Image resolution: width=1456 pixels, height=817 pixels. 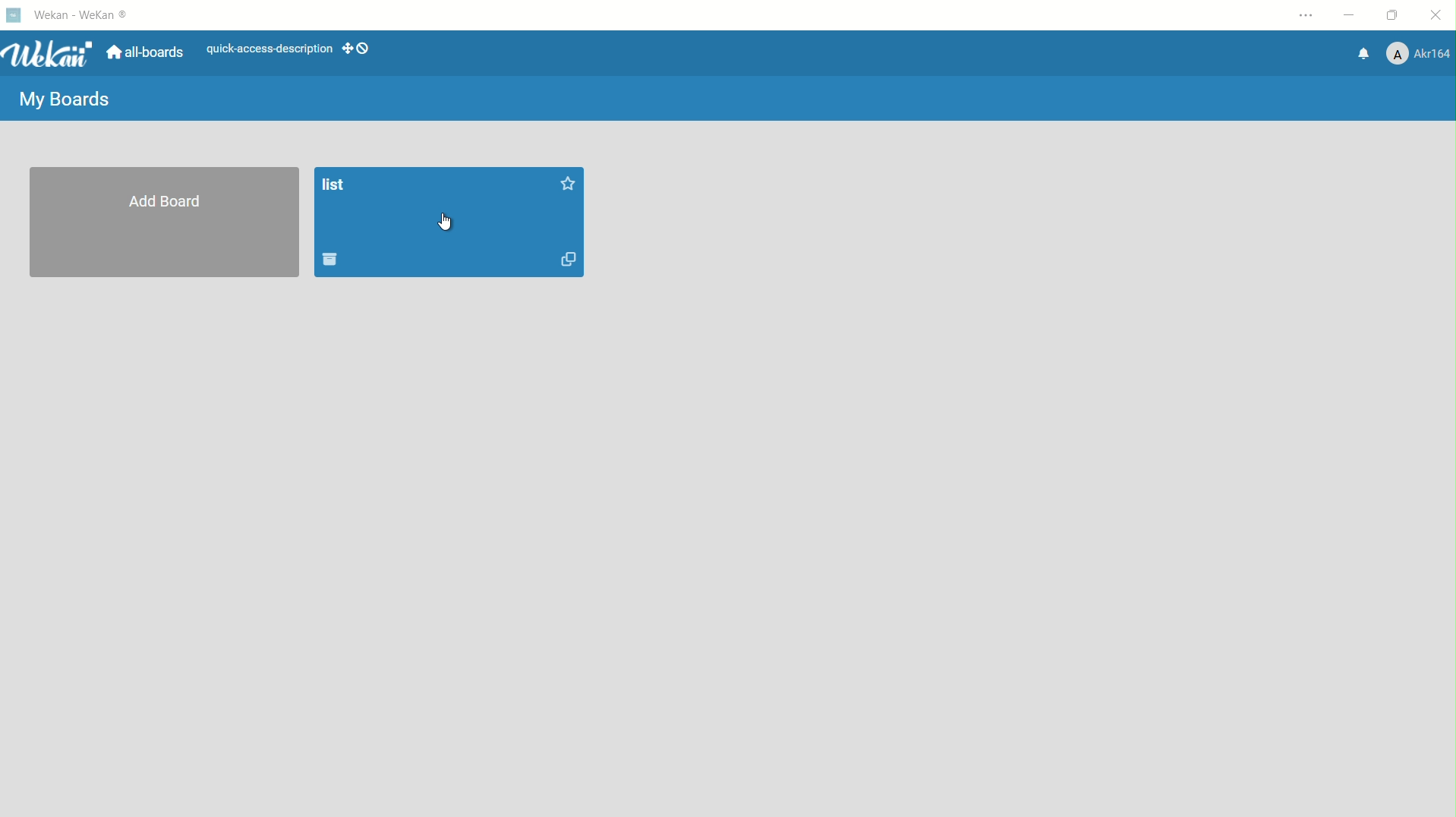 What do you see at coordinates (165, 202) in the screenshot?
I see `add board` at bounding box center [165, 202].